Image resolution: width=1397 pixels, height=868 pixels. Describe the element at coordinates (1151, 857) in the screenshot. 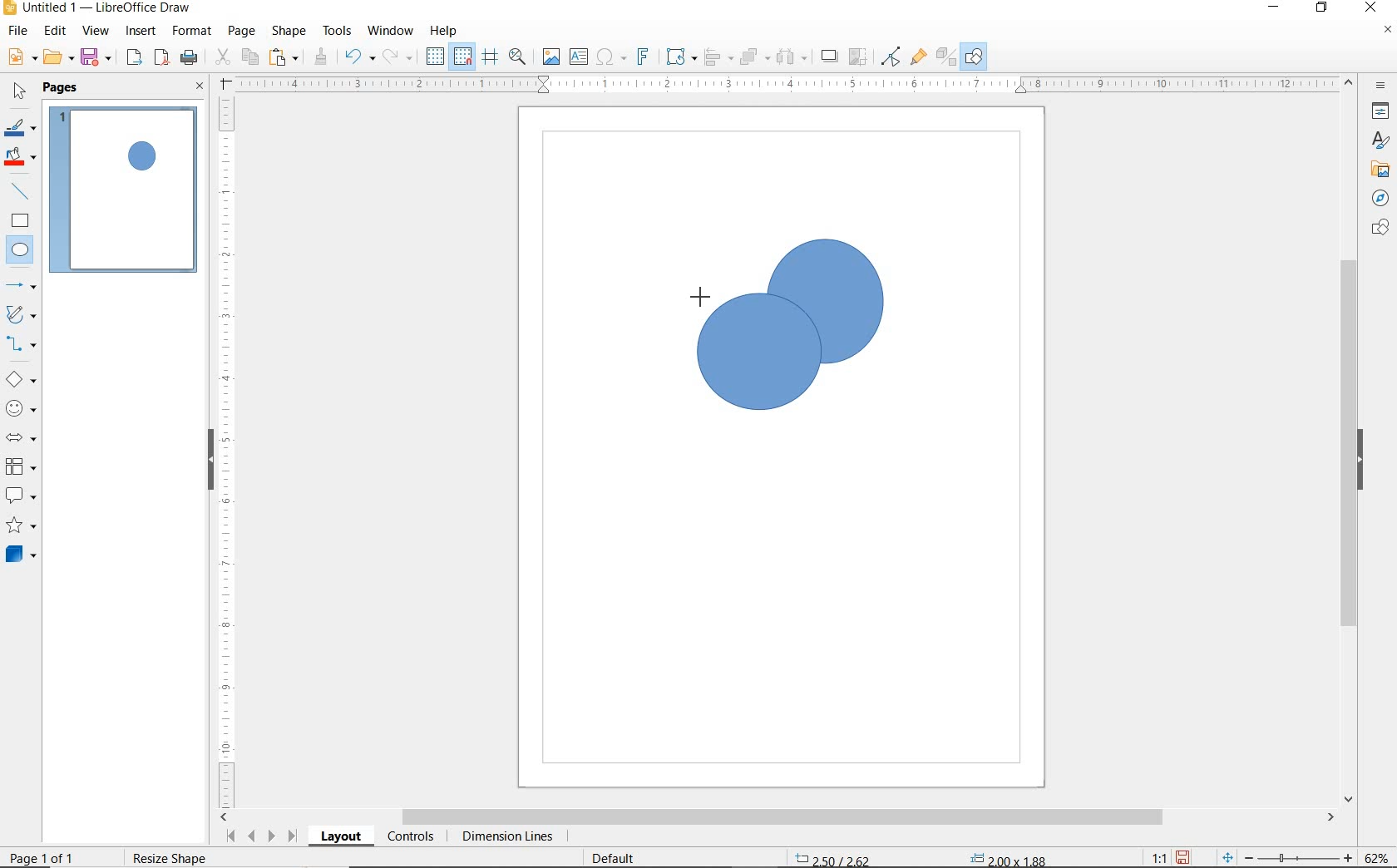

I see `SCALE FACTOR` at that location.